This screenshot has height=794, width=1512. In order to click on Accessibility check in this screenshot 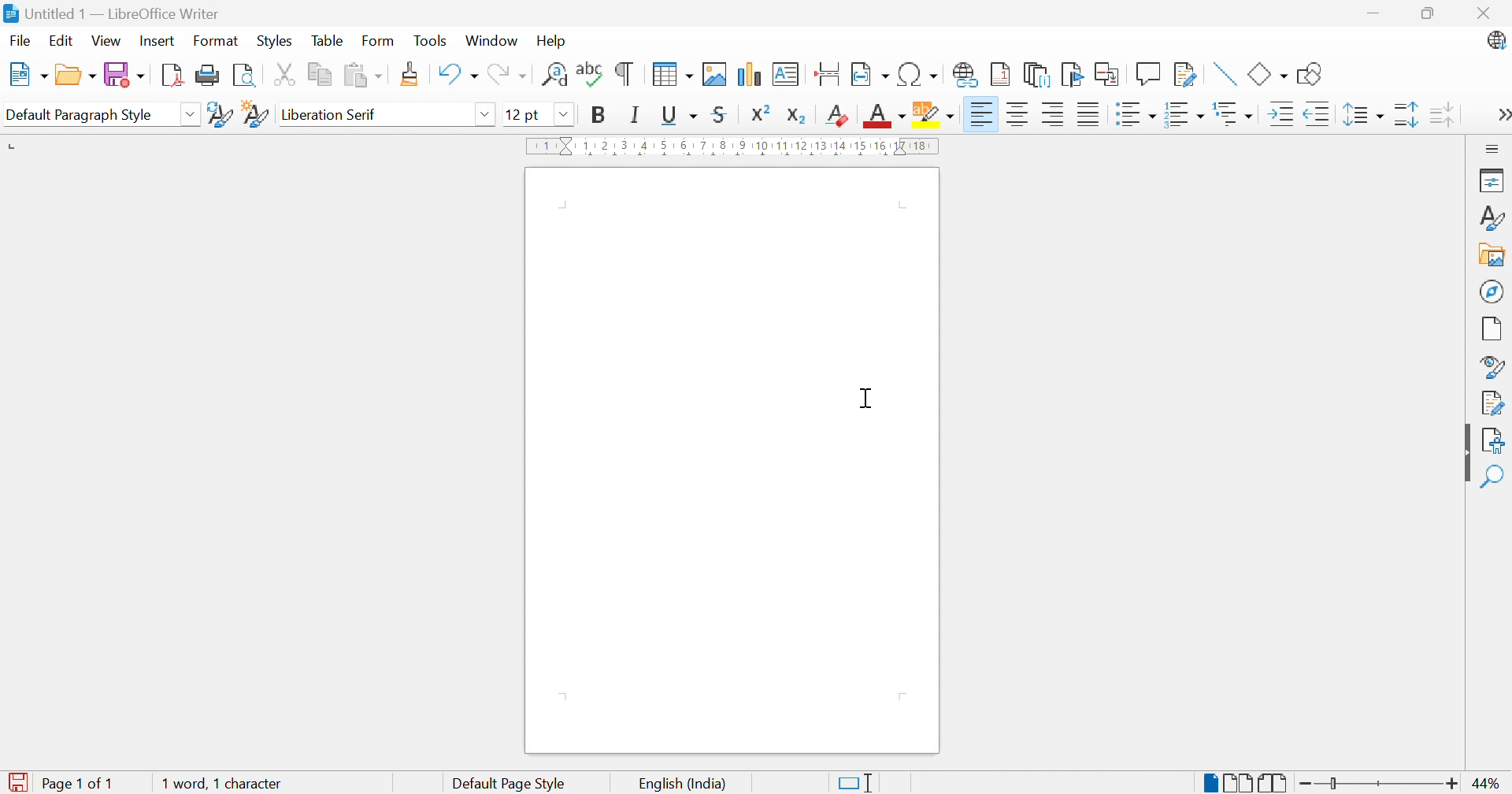, I will do `click(1495, 442)`.